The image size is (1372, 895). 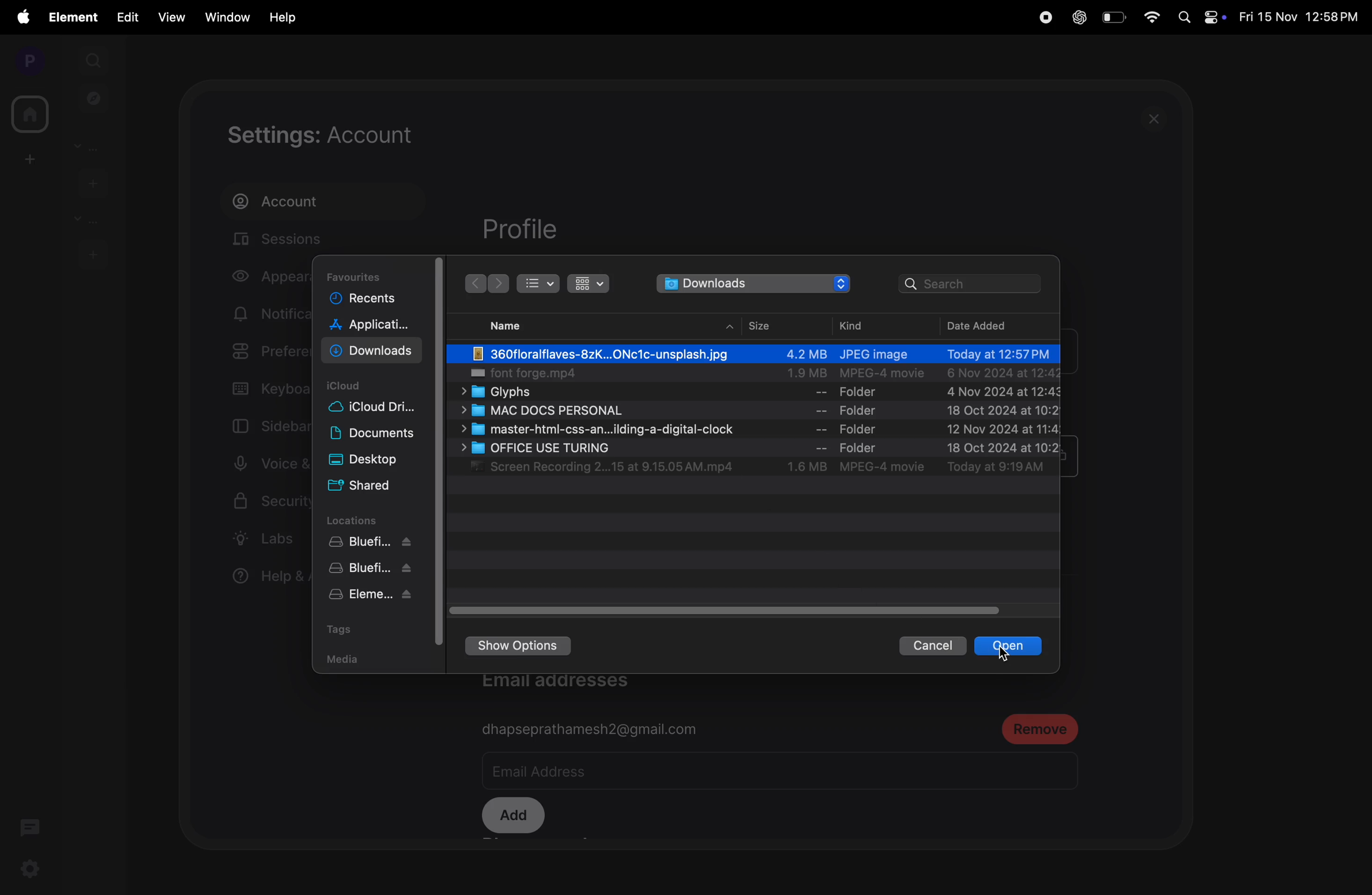 What do you see at coordinates (375, 544) in the screenshot?
I see `blue fish` at bounding box center [375, 544].